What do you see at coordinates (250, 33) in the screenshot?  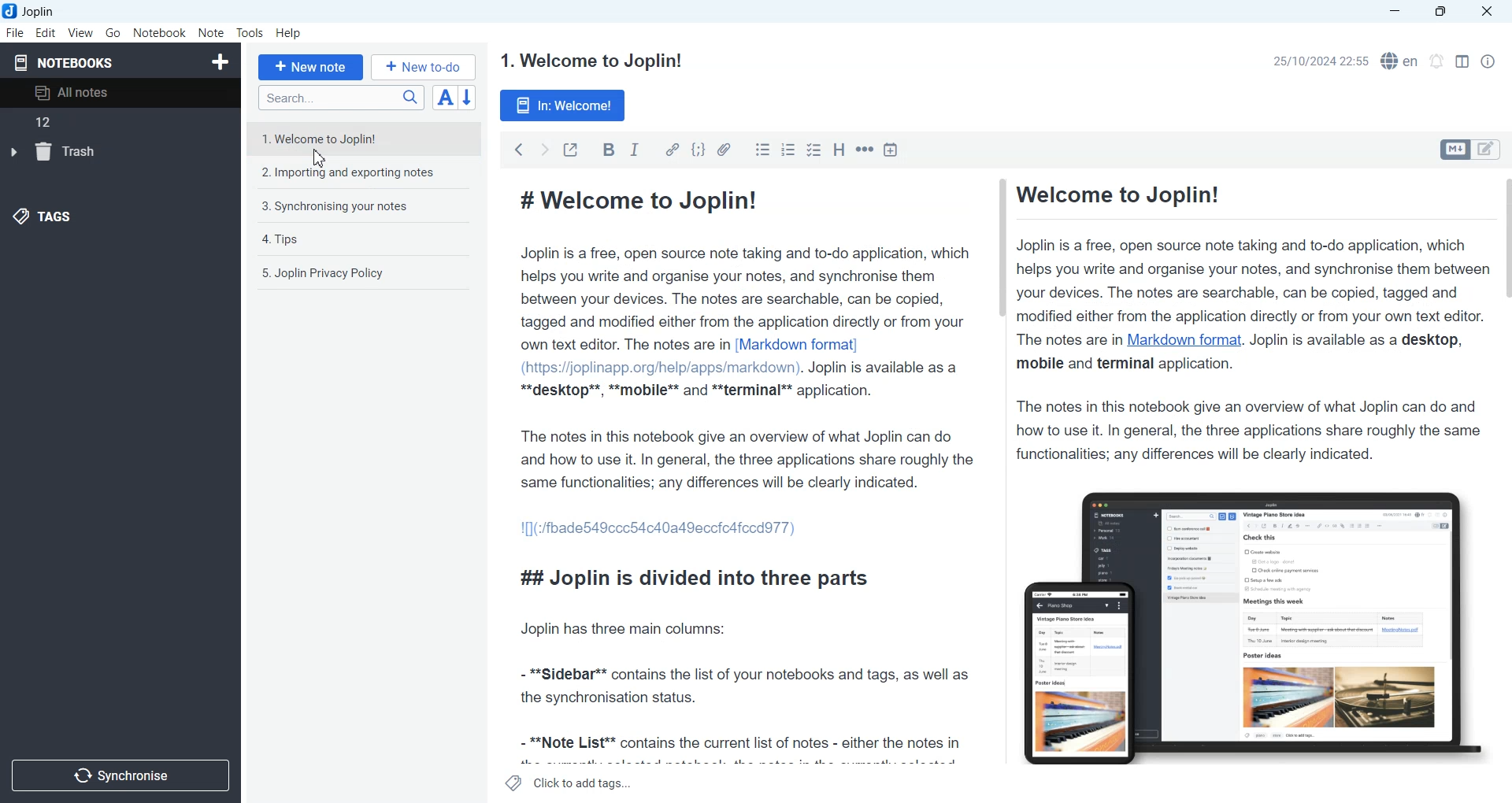 I see `Tools` at bounding box center [250, 33].